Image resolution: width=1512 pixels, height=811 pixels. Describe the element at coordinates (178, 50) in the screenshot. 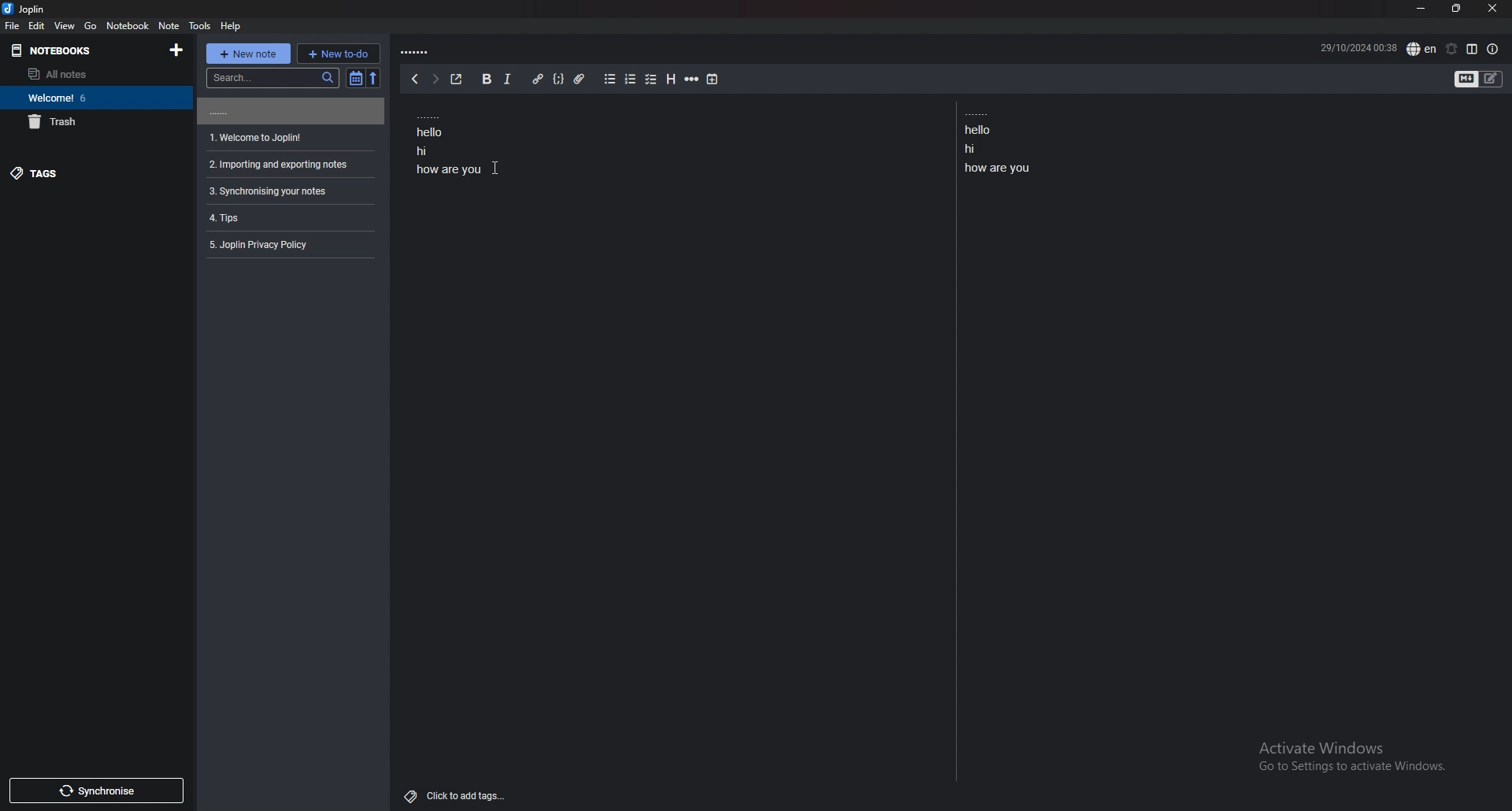

I see `new notebook` at that location.